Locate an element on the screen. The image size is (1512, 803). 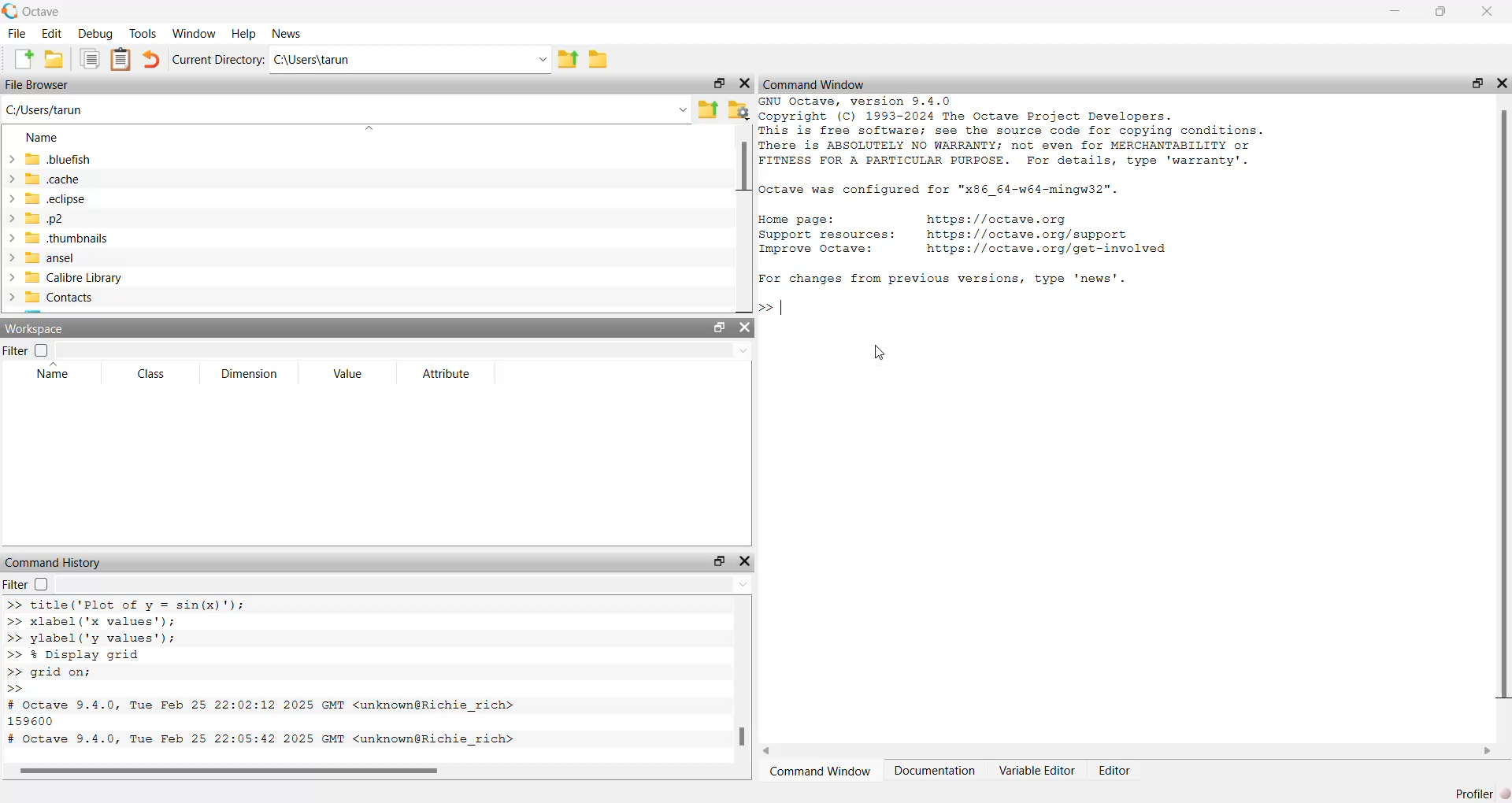
close is located at coordinates (1488, 12).